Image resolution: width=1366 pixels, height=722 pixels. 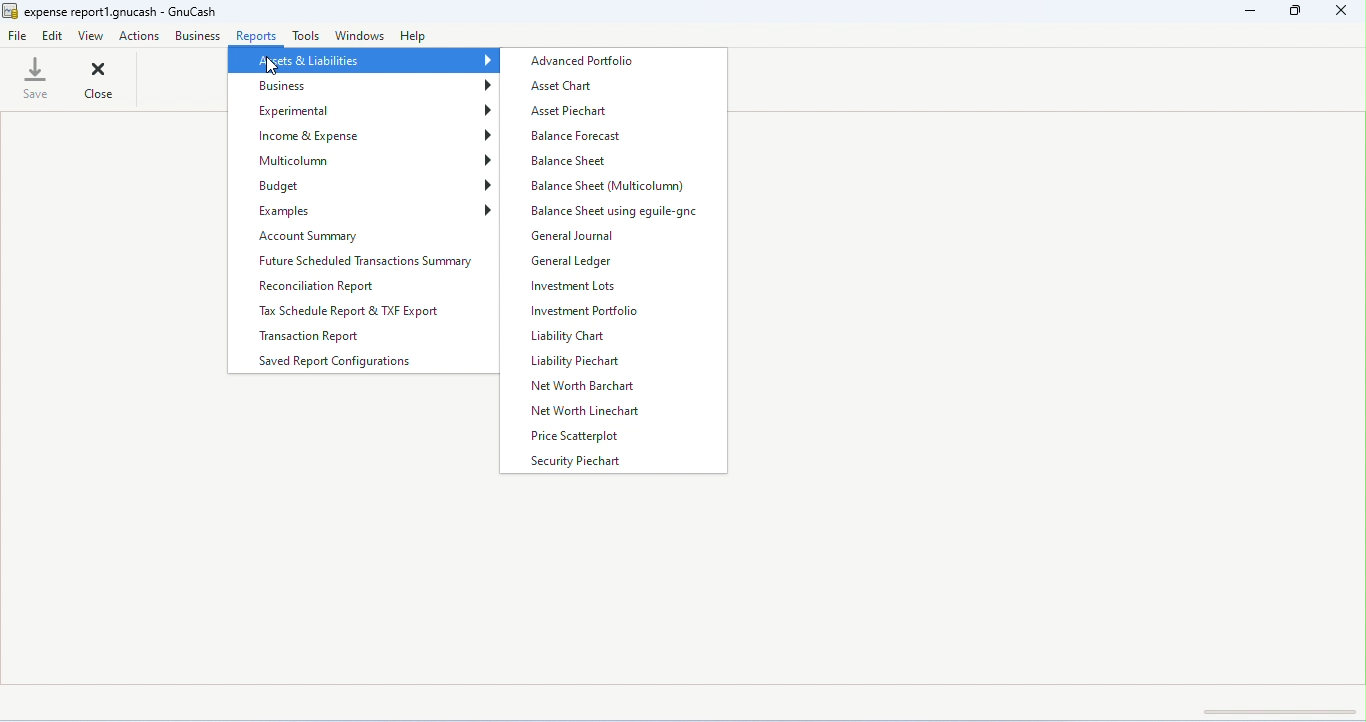 What do you see at coordinates (1292, 11) in the screenshot?
I see `maximize` at bounding box center [1292, 11].